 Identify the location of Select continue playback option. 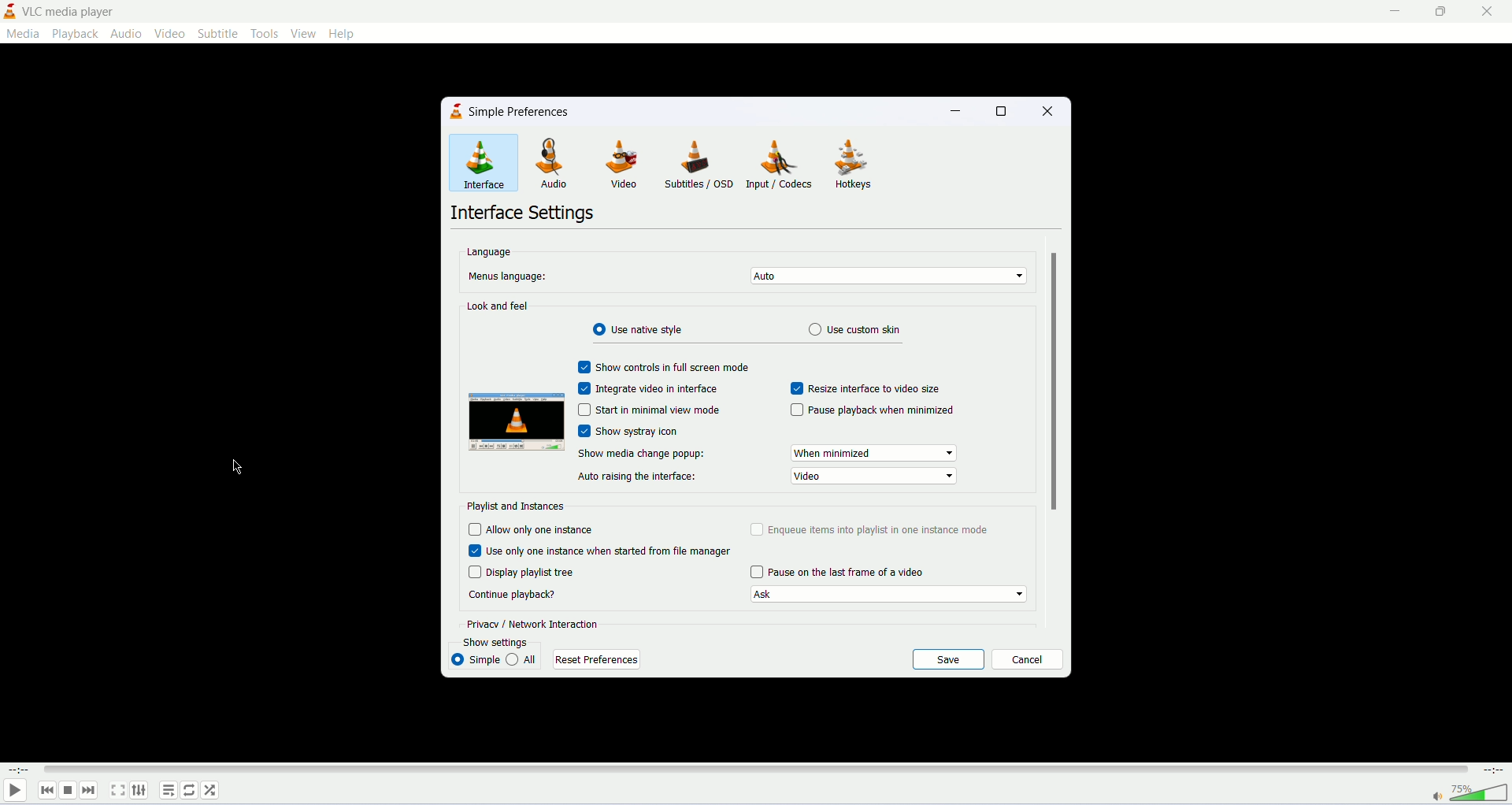
(887, 594).